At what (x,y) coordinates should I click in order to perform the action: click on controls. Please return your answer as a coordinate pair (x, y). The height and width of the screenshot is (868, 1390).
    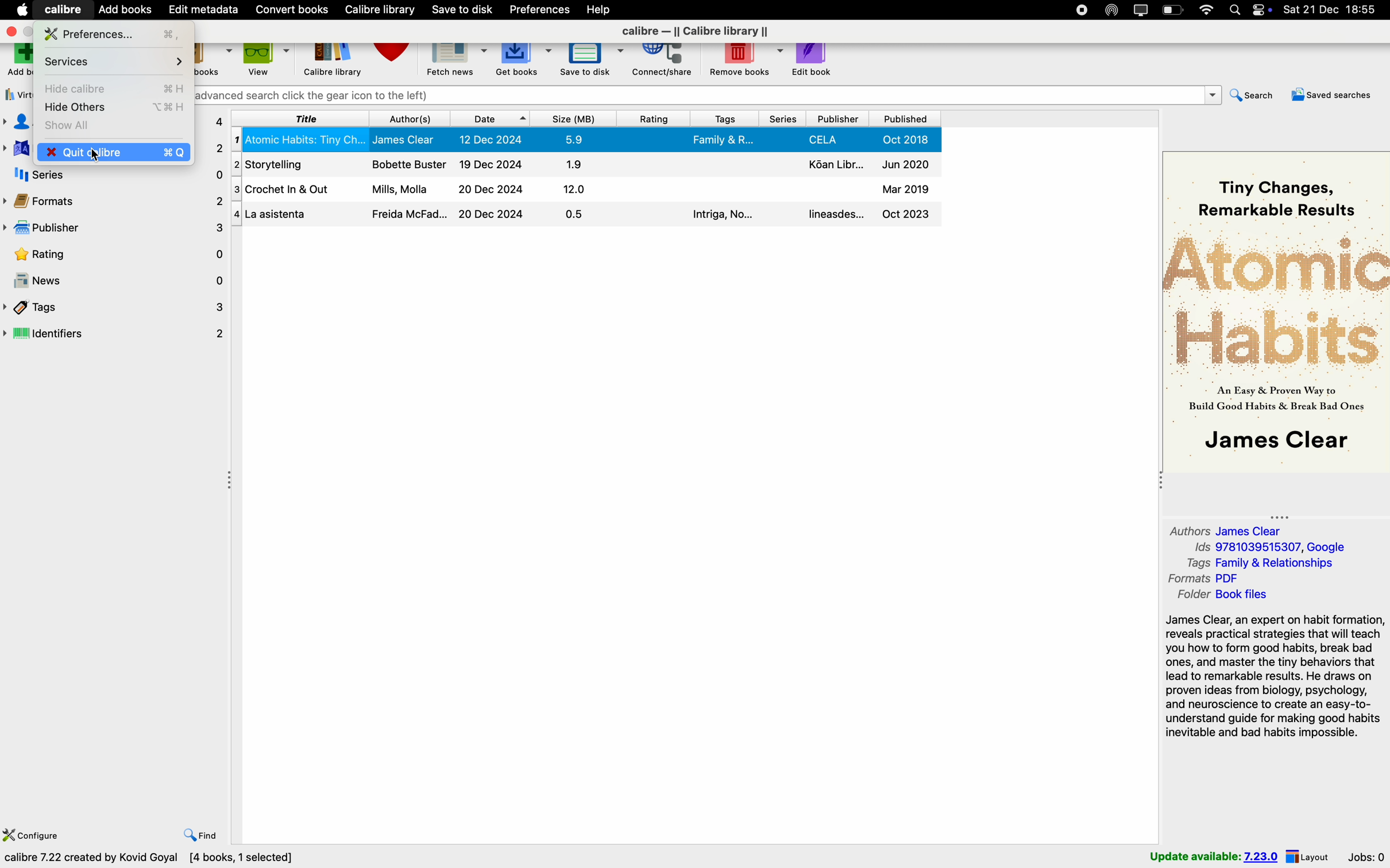
    Looking at the image, I should click on (1265, 10).